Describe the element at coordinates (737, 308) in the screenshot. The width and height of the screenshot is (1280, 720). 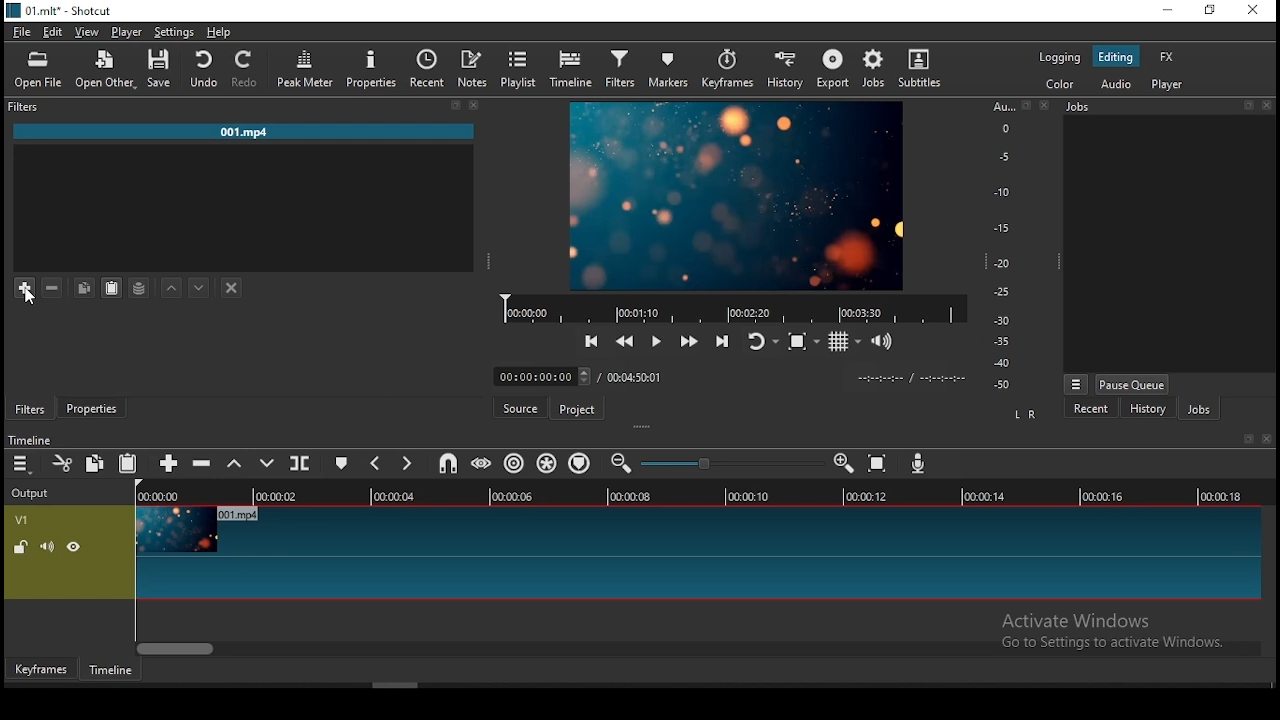
I see `timeline` at that location.